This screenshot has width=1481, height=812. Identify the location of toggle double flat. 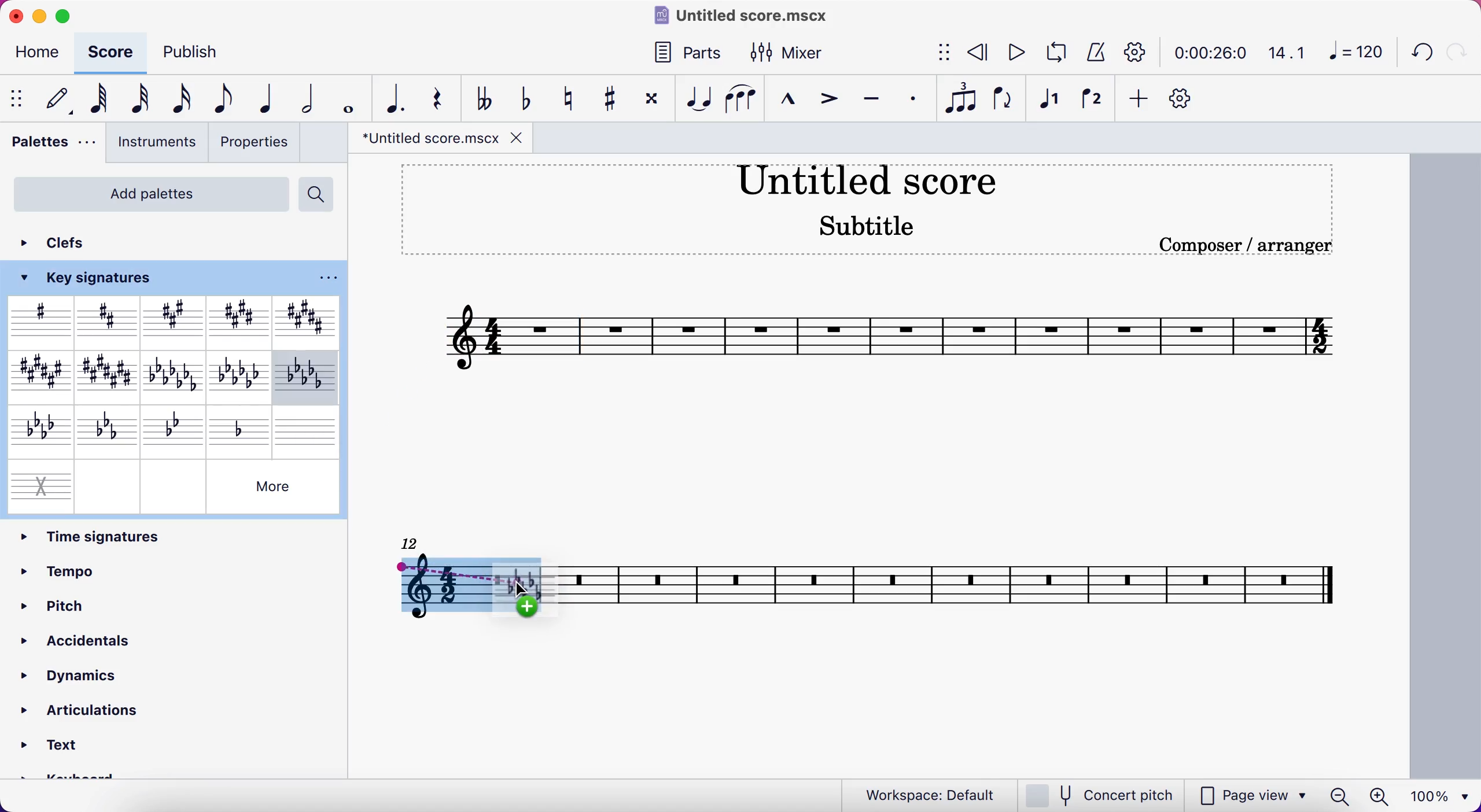
(488, 97).